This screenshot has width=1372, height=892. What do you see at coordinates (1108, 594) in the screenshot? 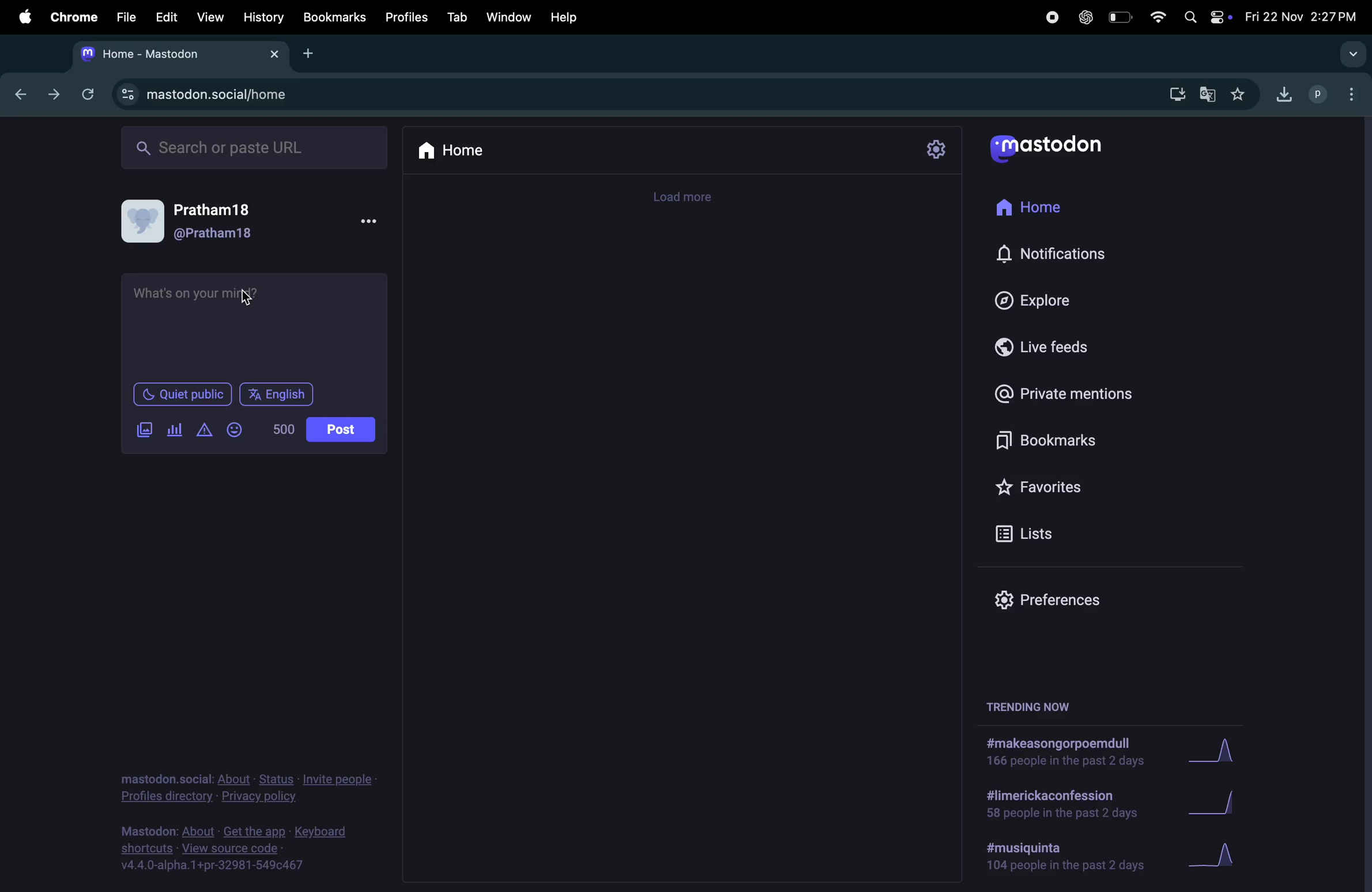
I see `preference` at bounding box center [1108, 594].